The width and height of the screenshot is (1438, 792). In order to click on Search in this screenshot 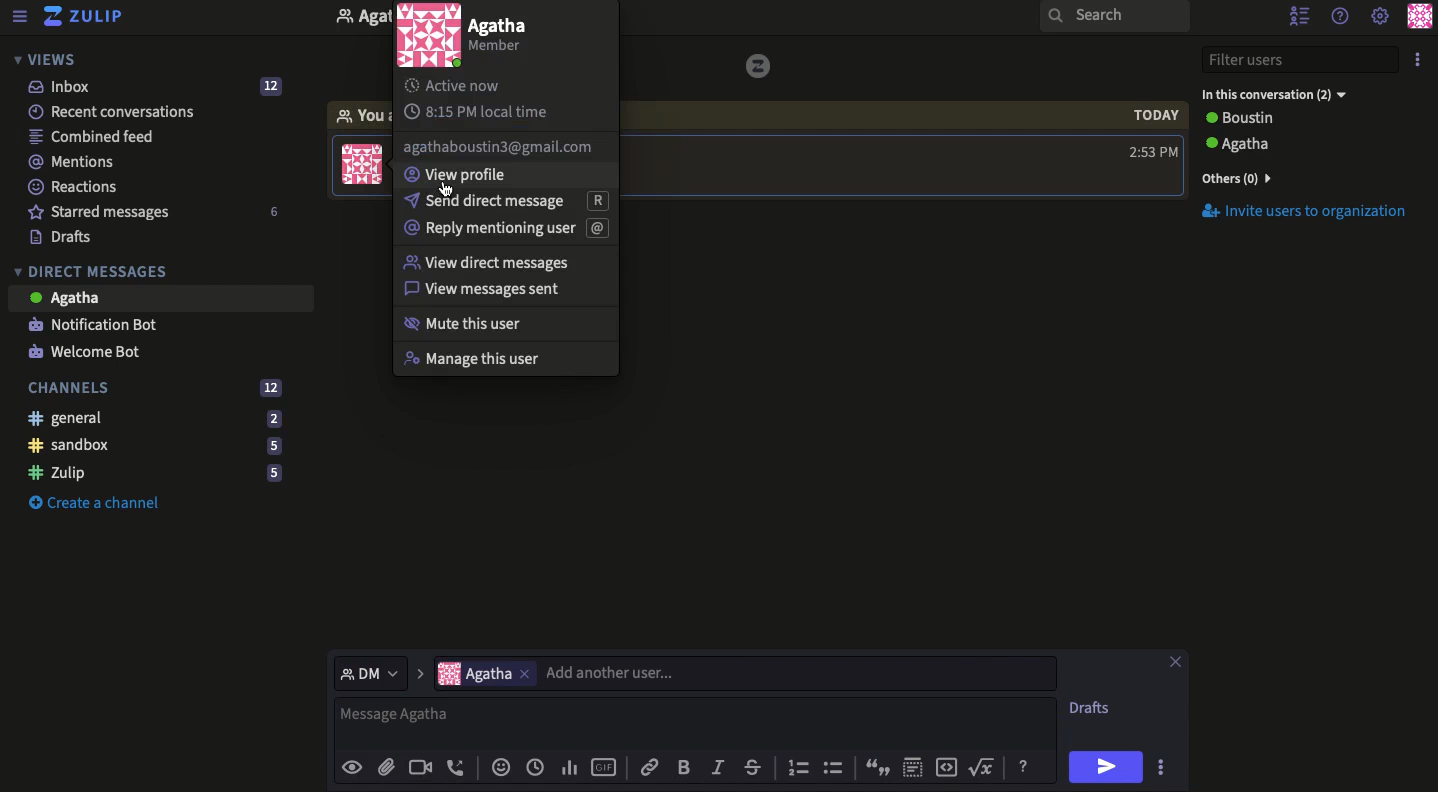, I will do `click(1112, 18)`.